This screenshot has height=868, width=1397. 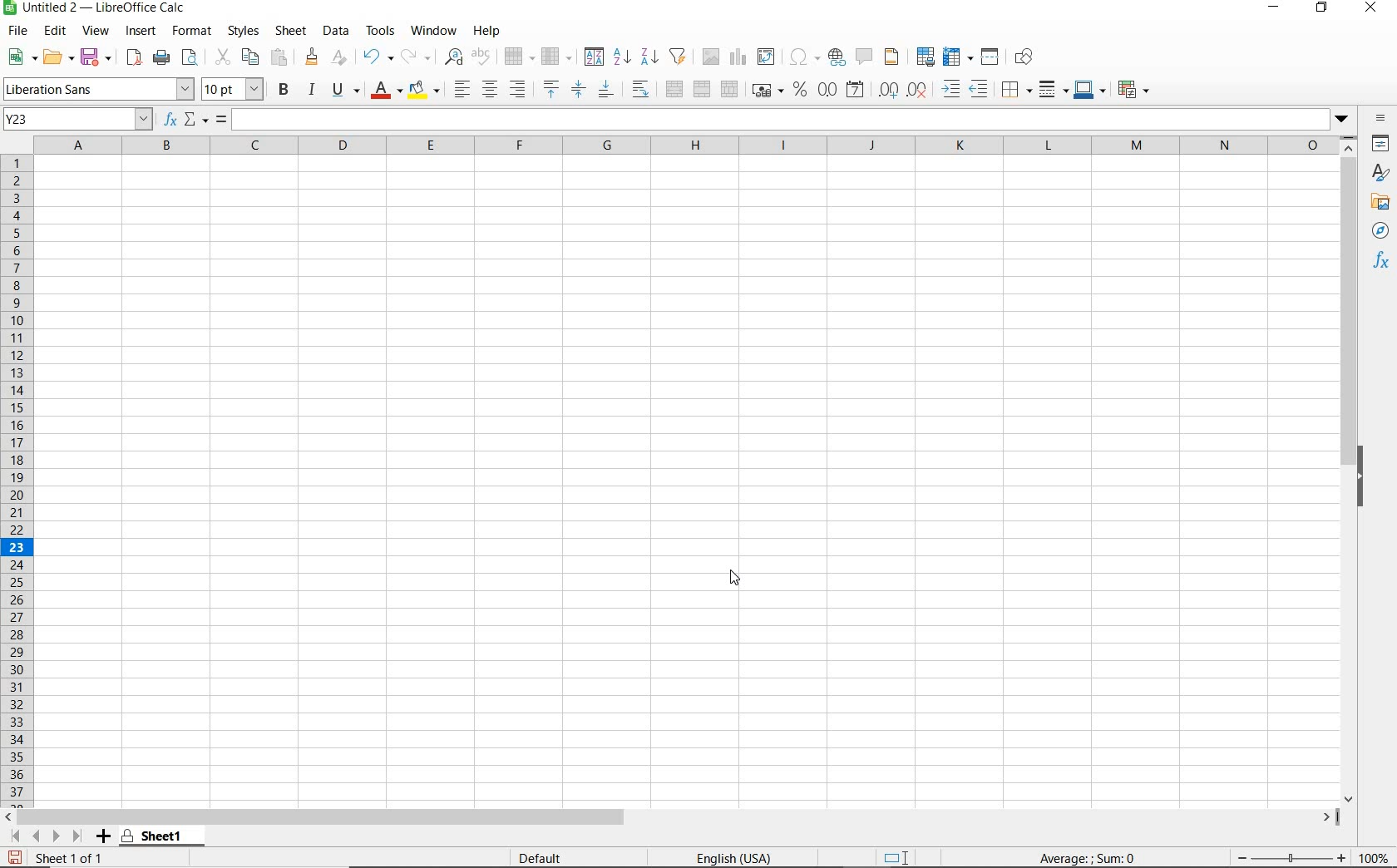 What do you see at coordinates (917, 90) in the screenshot?
I see `DELETE DECIMAL PLACE` at bounding box center [917, 90].